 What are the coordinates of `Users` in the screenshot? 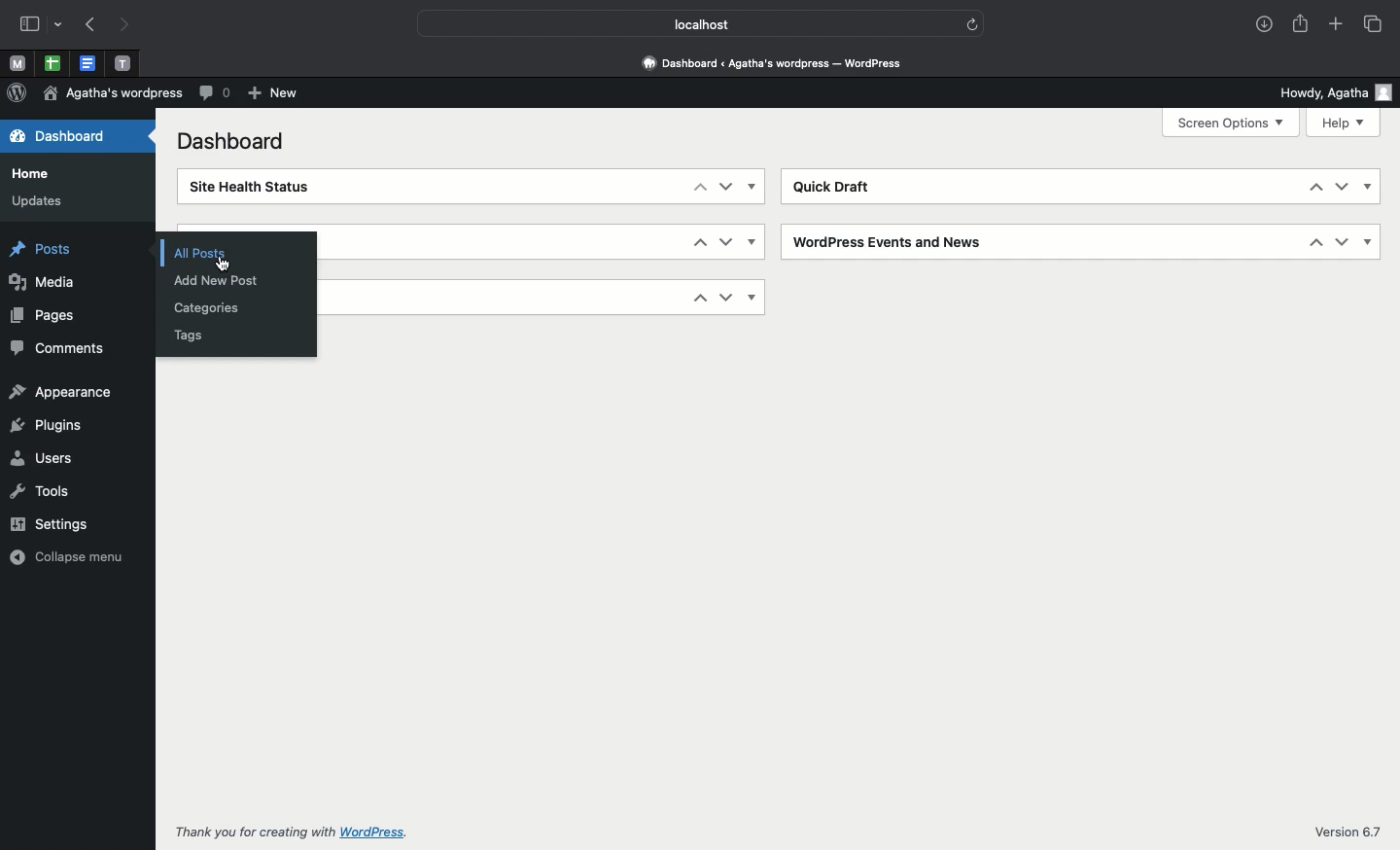 It's located at (52, 458).